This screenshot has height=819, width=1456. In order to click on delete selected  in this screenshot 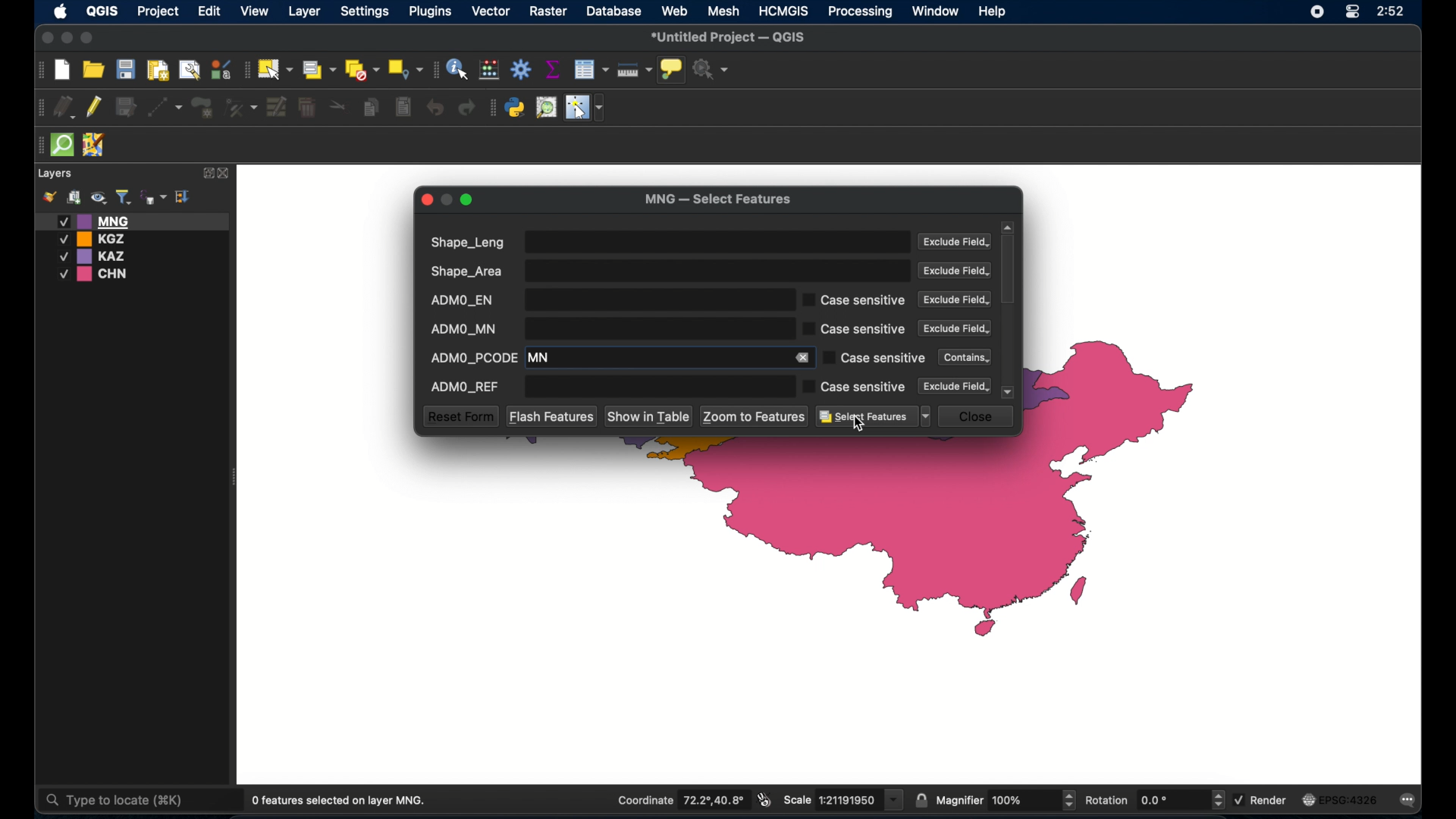, I will do `click(309, 108)`.